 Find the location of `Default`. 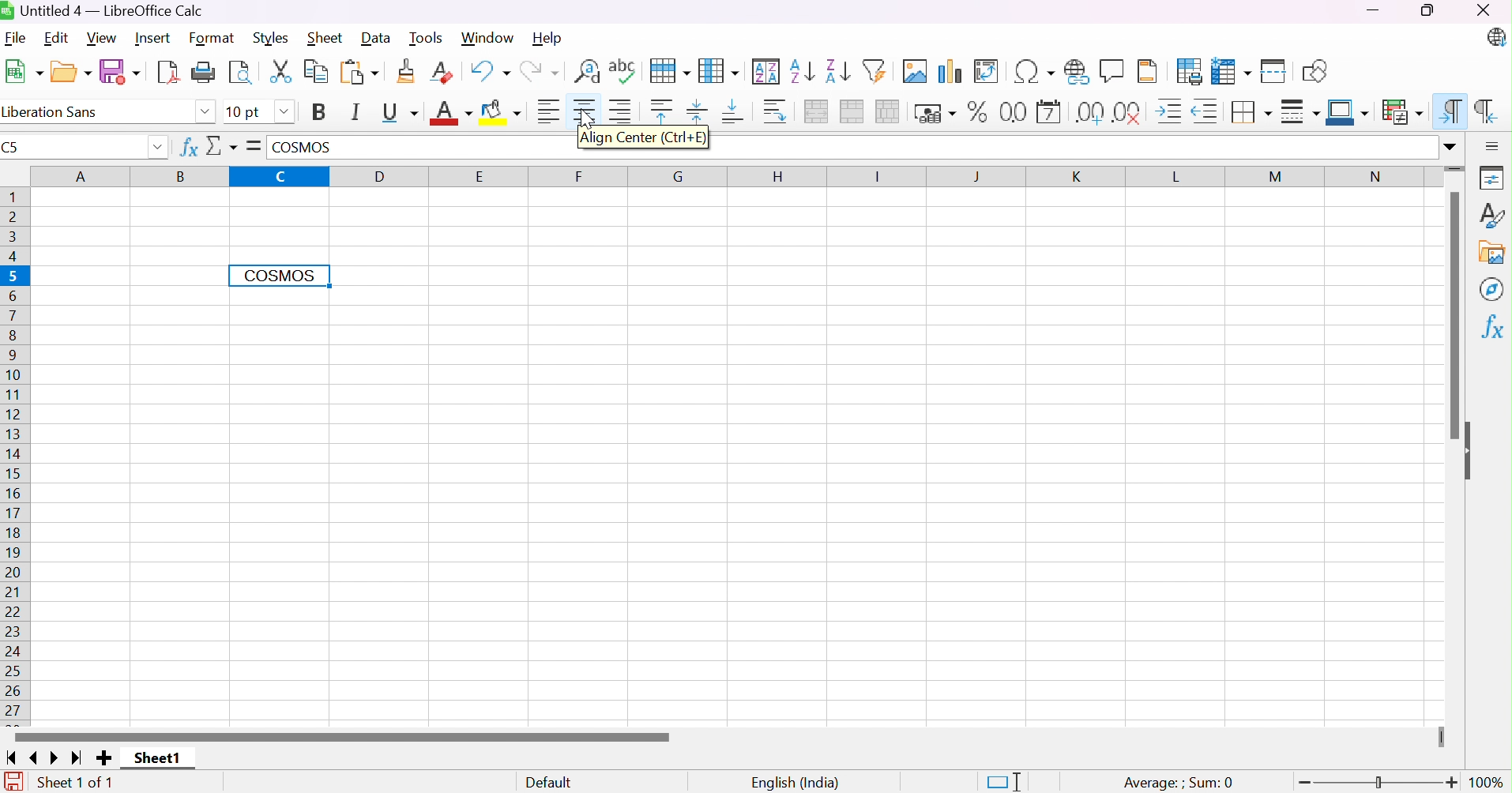

Default is located at coordinates (548, 780).